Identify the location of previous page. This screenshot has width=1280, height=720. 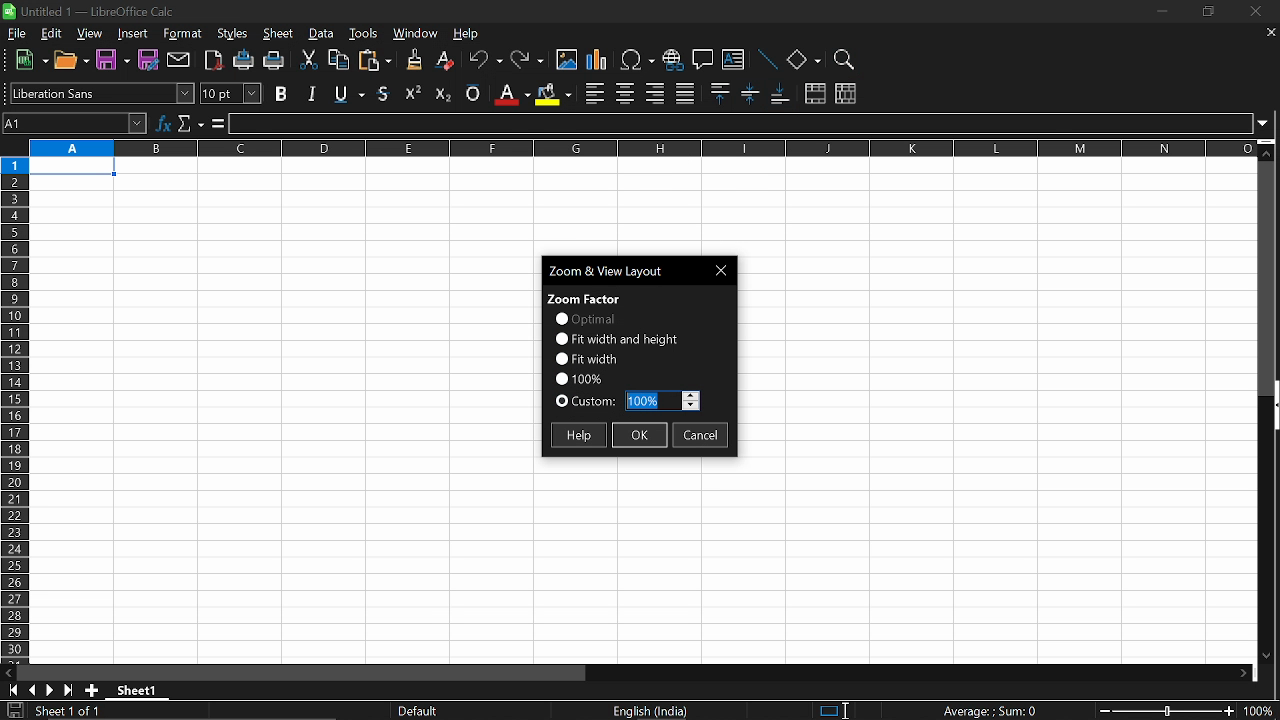
(32, 690).